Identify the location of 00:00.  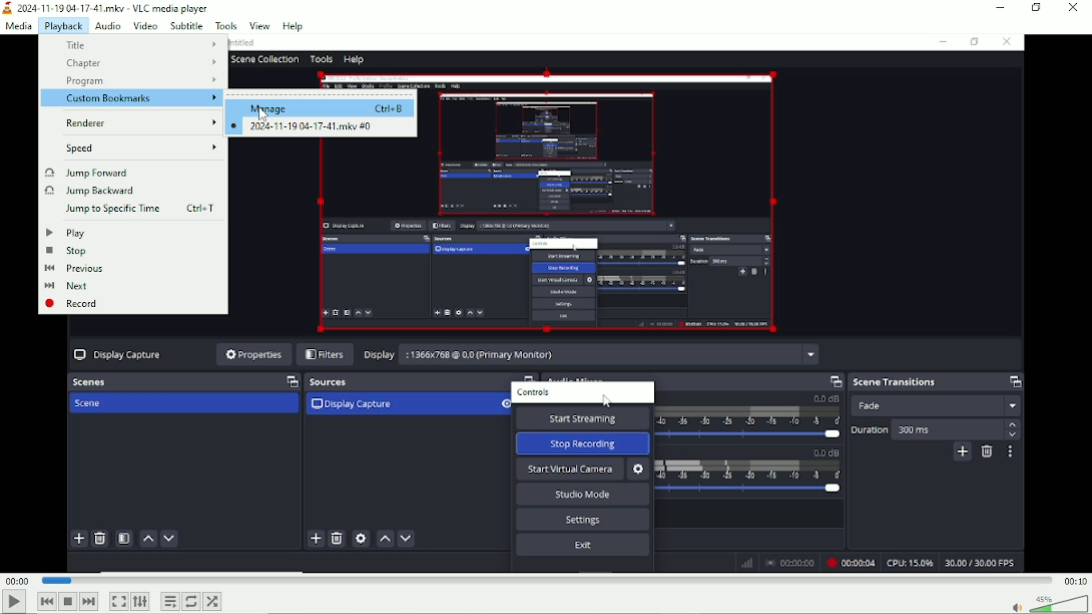
(18, 581).